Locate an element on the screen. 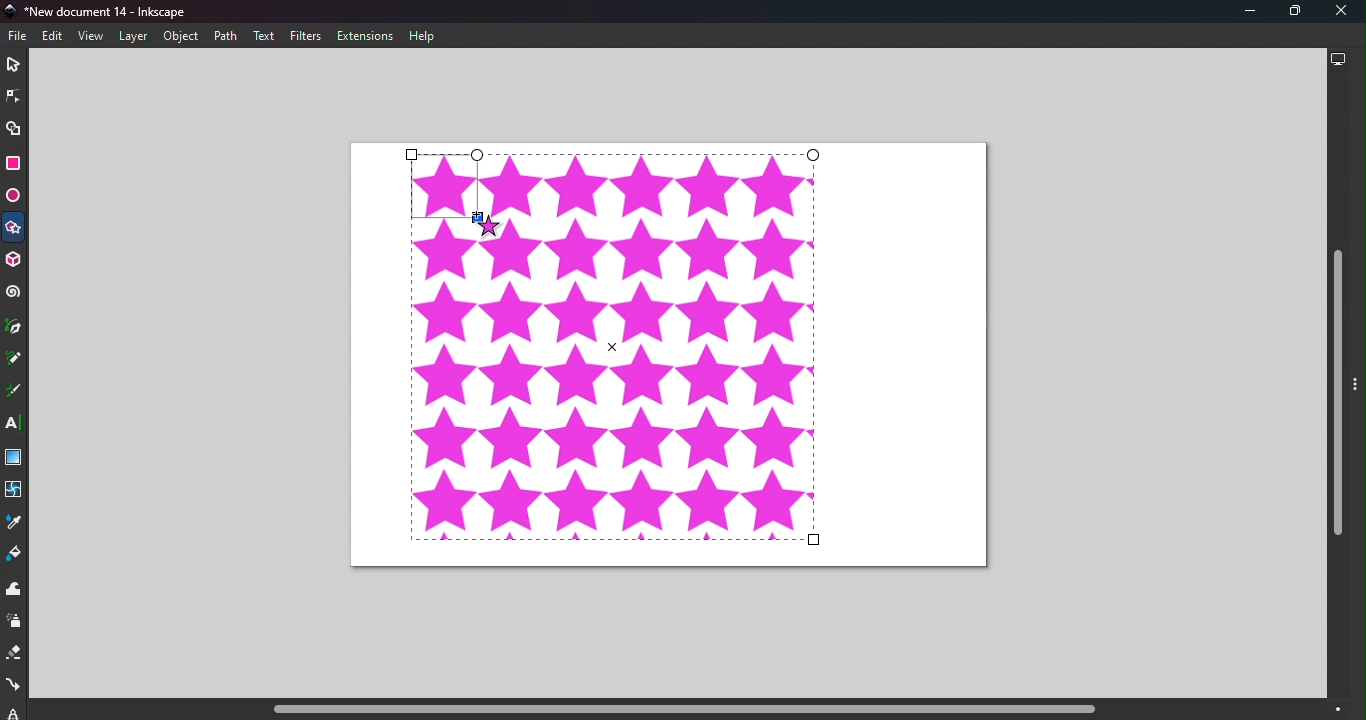 The width and height of the screenshot is (1366, 720). Close is located at coordinates (1342, 12).